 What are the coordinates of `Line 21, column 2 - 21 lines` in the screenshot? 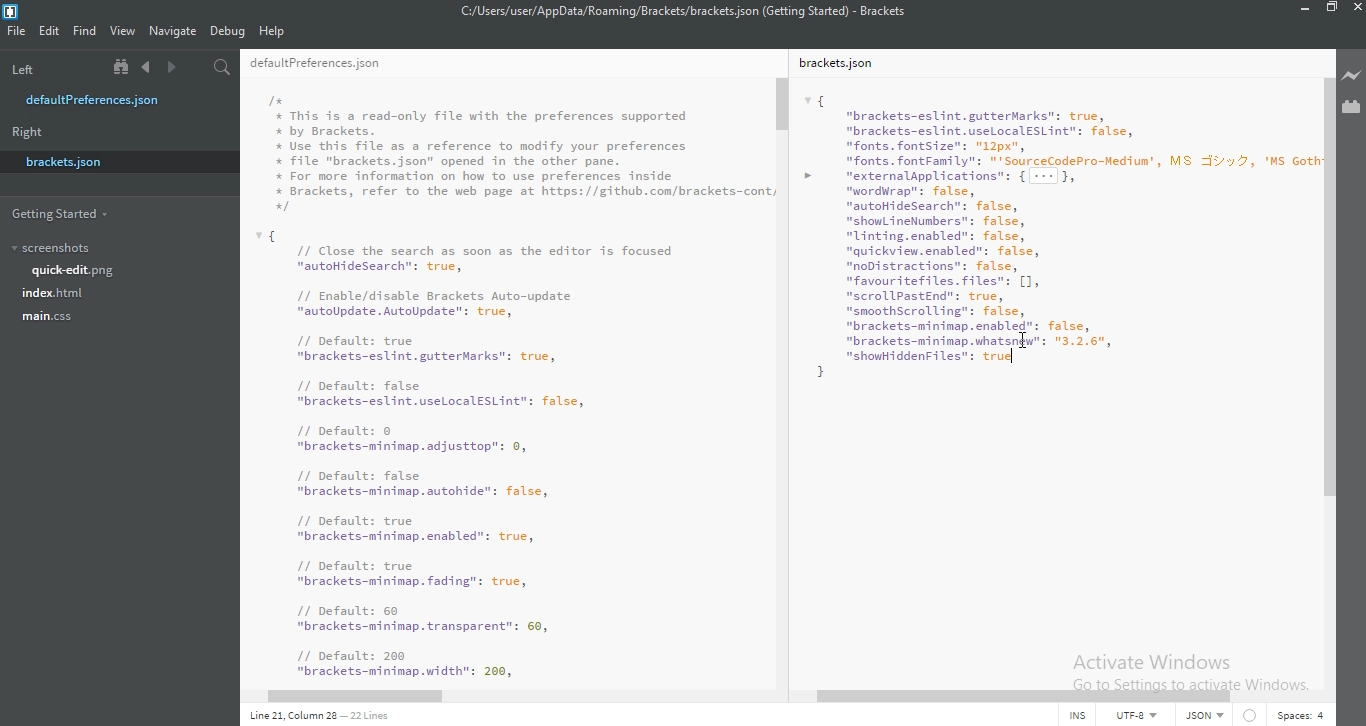 It's located at (318, 716).